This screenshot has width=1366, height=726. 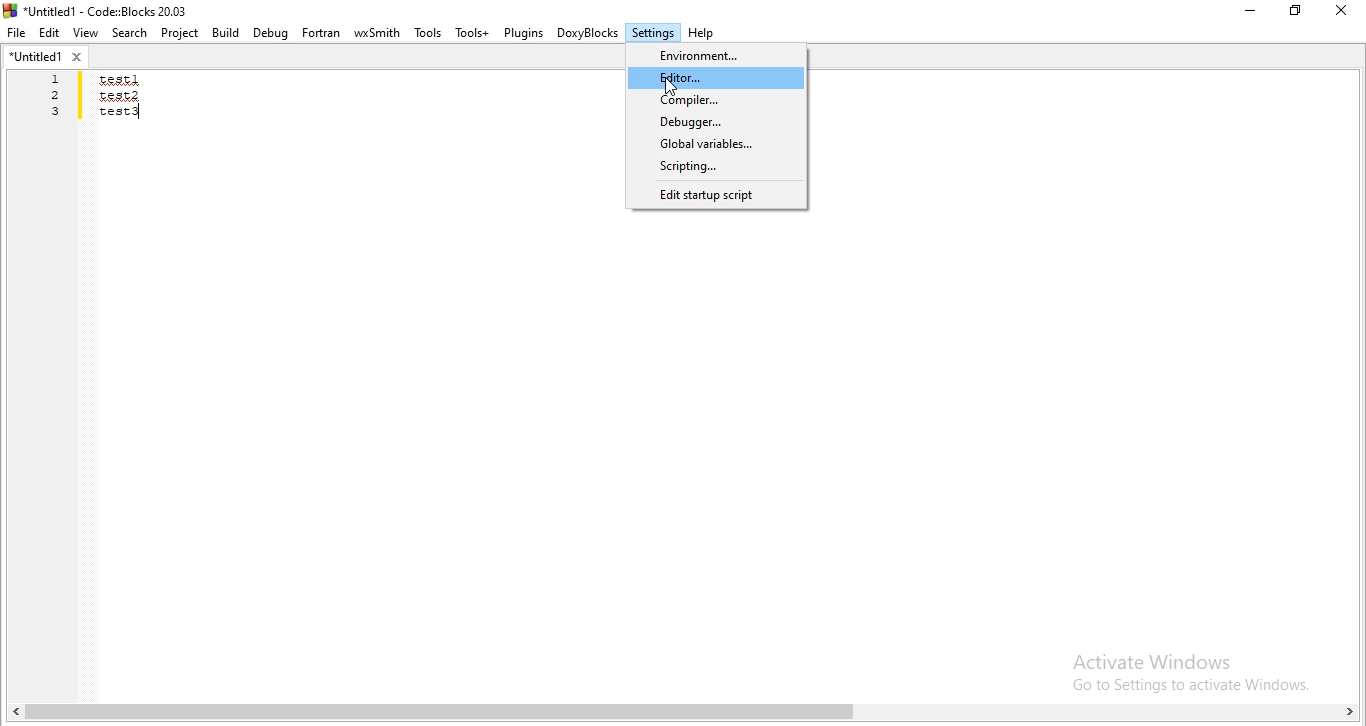 I want to click on Search , so click(x=130, y=34).